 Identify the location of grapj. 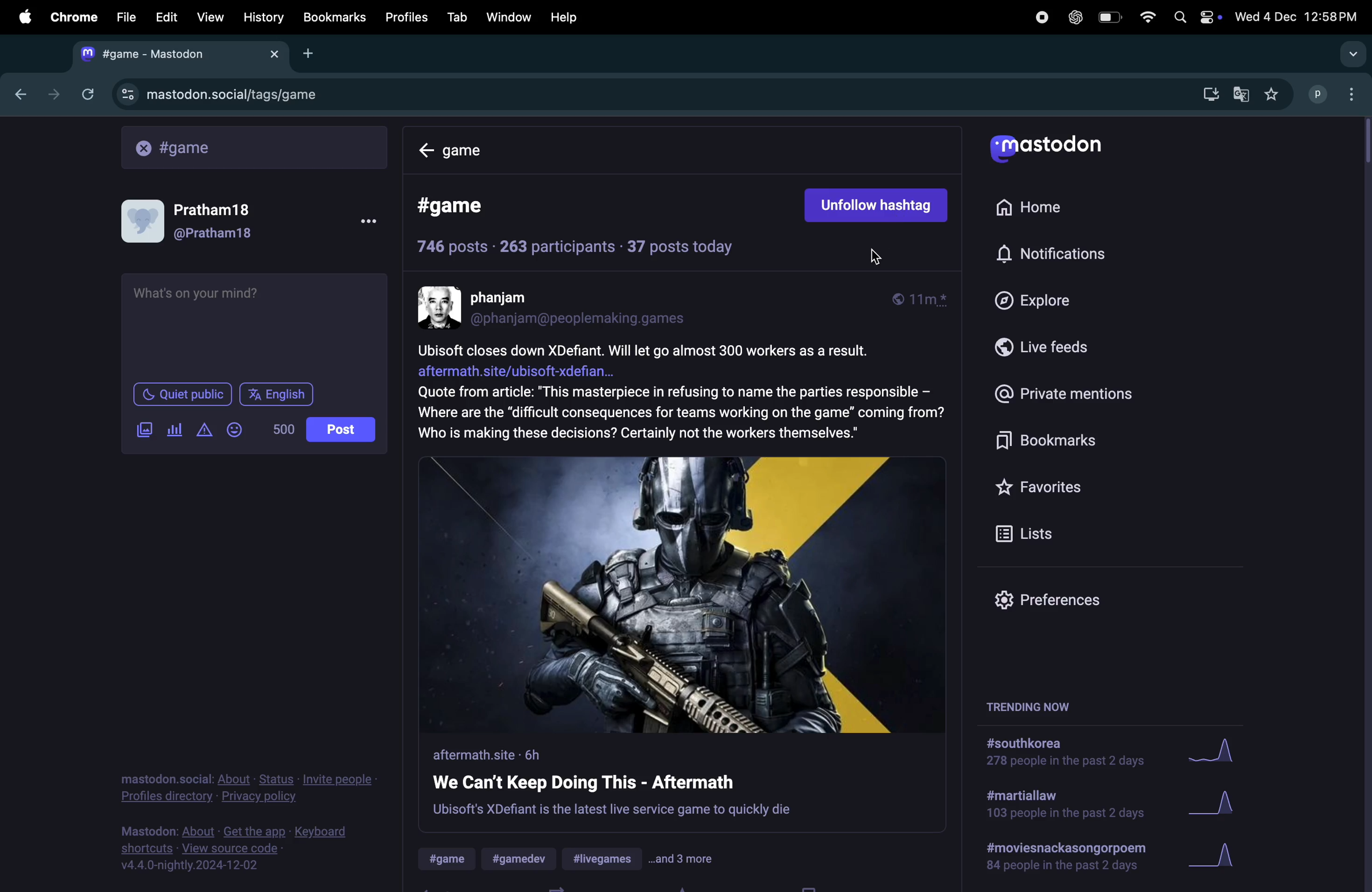
(1220, 860).